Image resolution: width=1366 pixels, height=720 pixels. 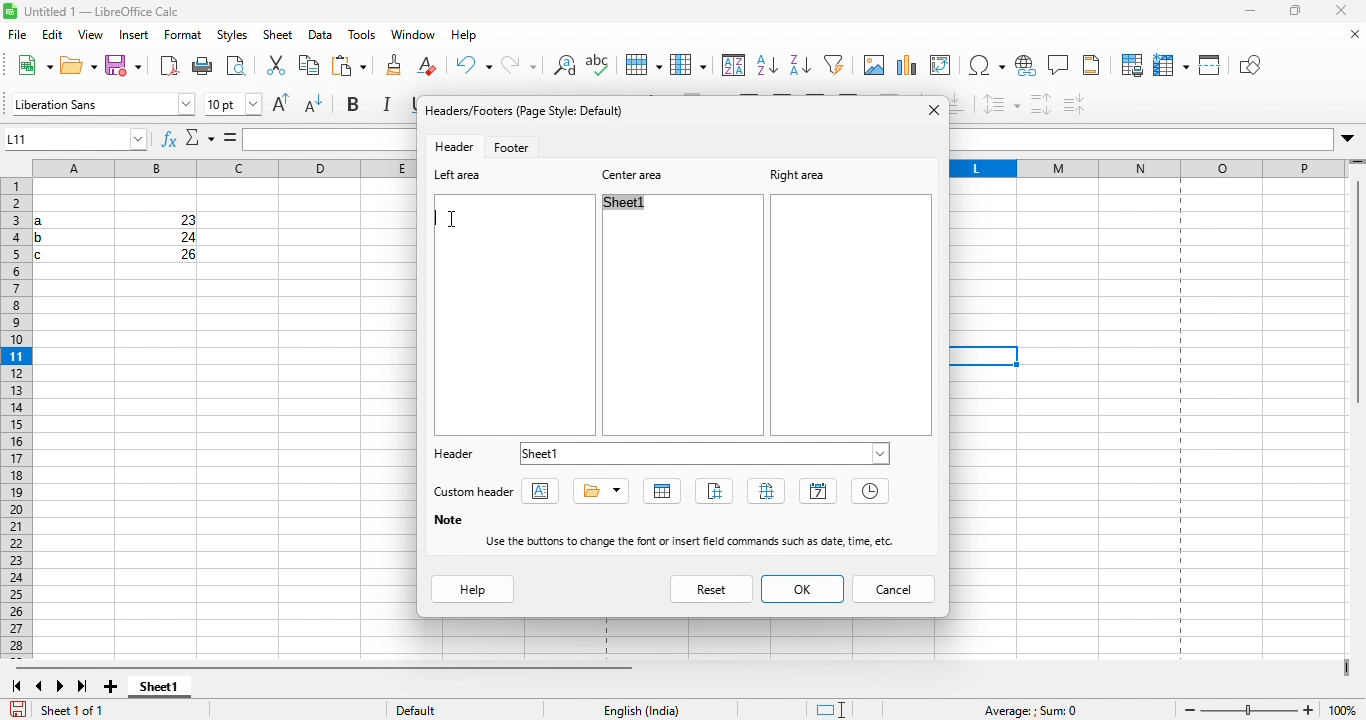 What do you see at coordinates (1296, 13) in the screenshot?
I see `maximize` at bounding box center [1296, 13].